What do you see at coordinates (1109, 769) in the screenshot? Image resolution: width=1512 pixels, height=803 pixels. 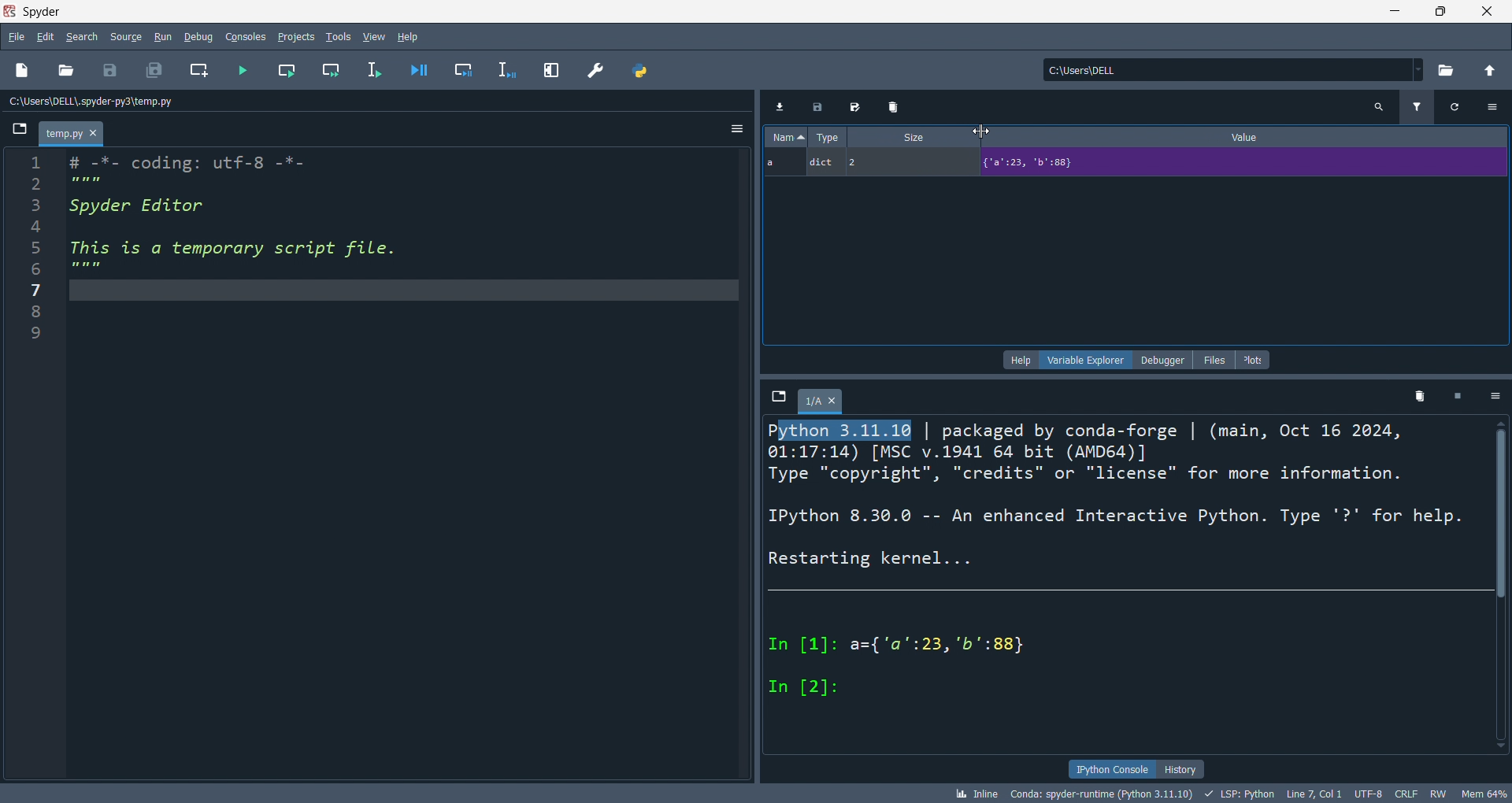 I see `ipython console` at bounding box center [1109, 769].